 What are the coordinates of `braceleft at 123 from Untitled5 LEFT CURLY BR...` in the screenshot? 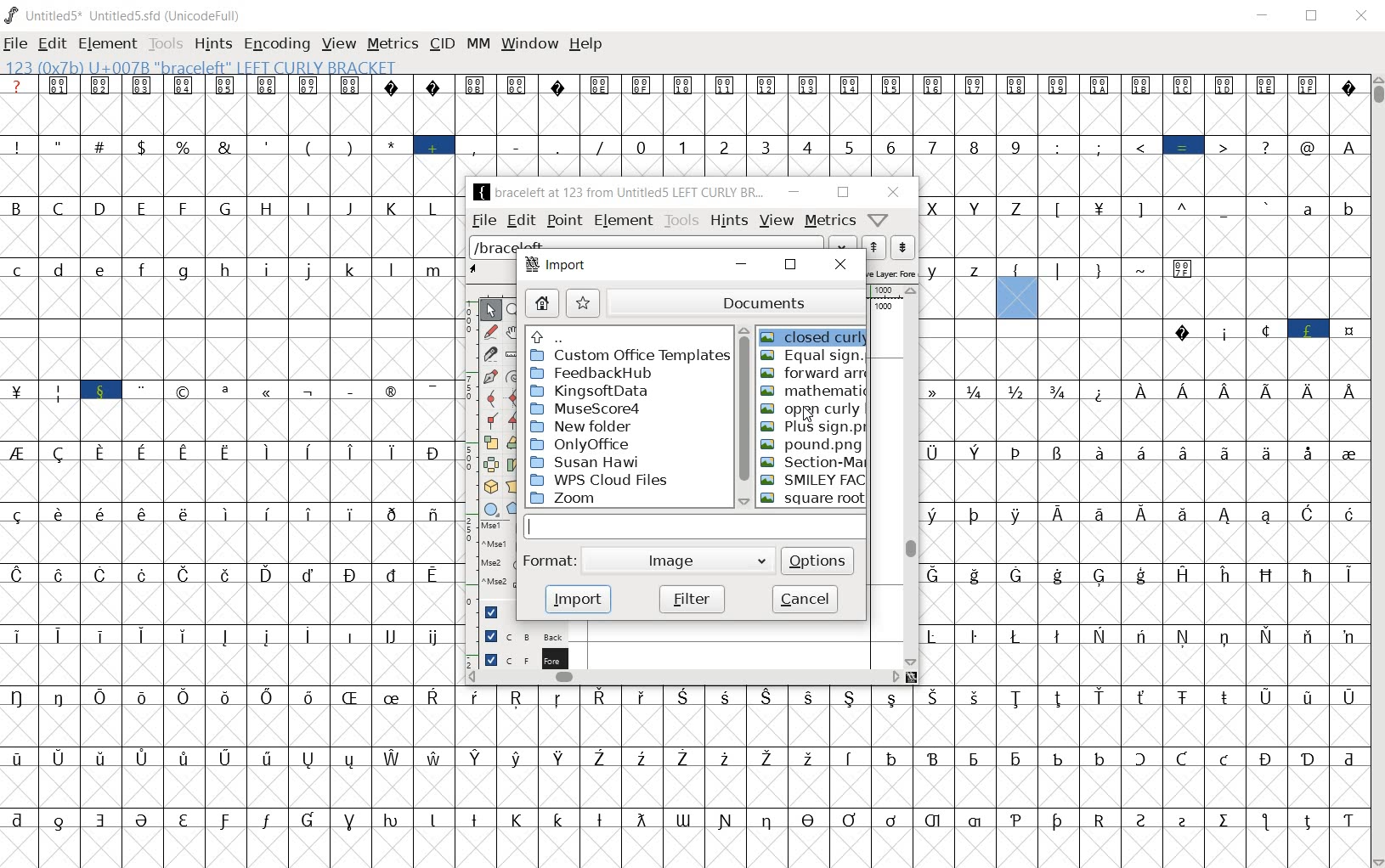 It's located at (620, 191).